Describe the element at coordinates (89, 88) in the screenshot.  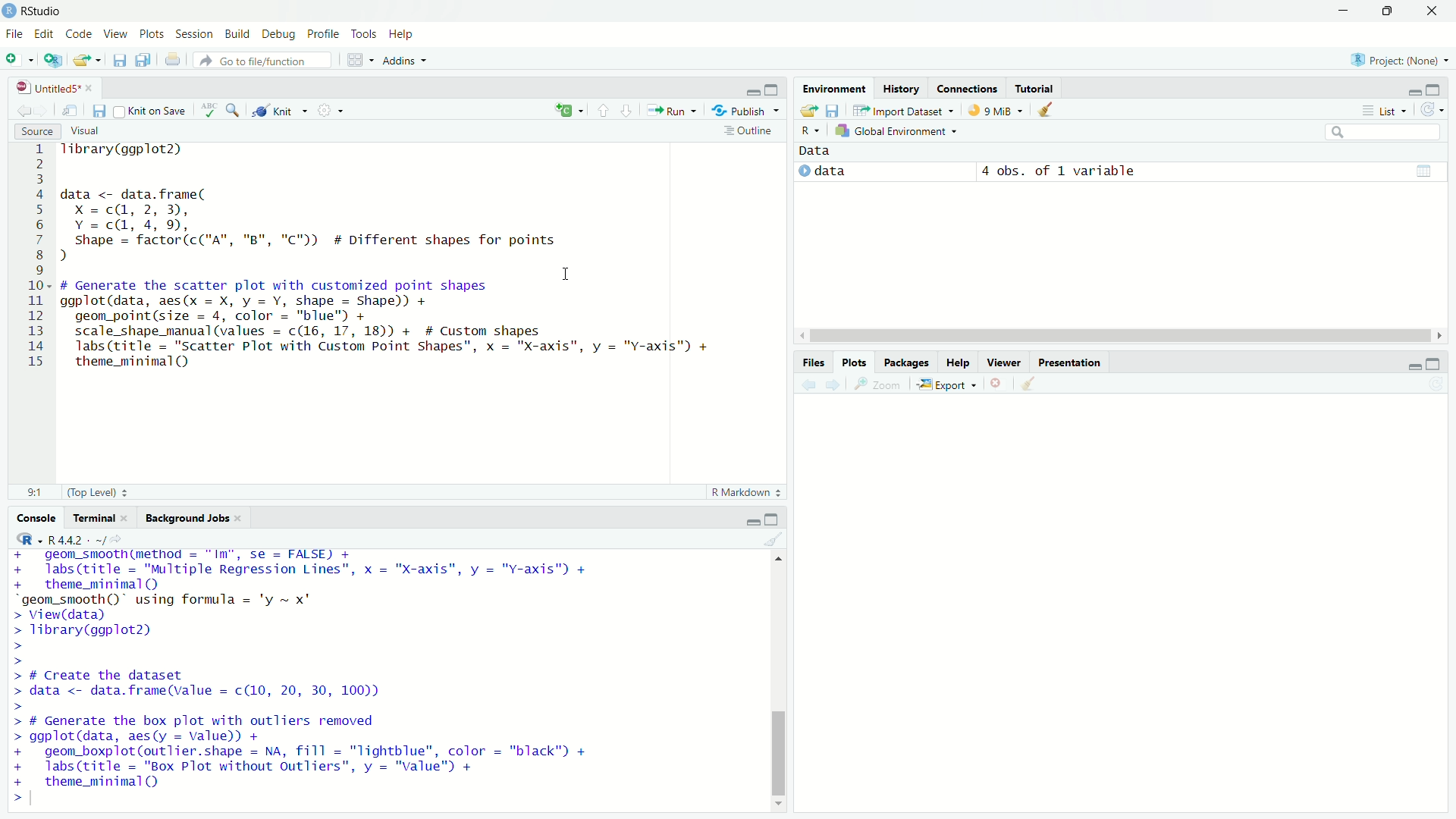
I see `close` at that location.